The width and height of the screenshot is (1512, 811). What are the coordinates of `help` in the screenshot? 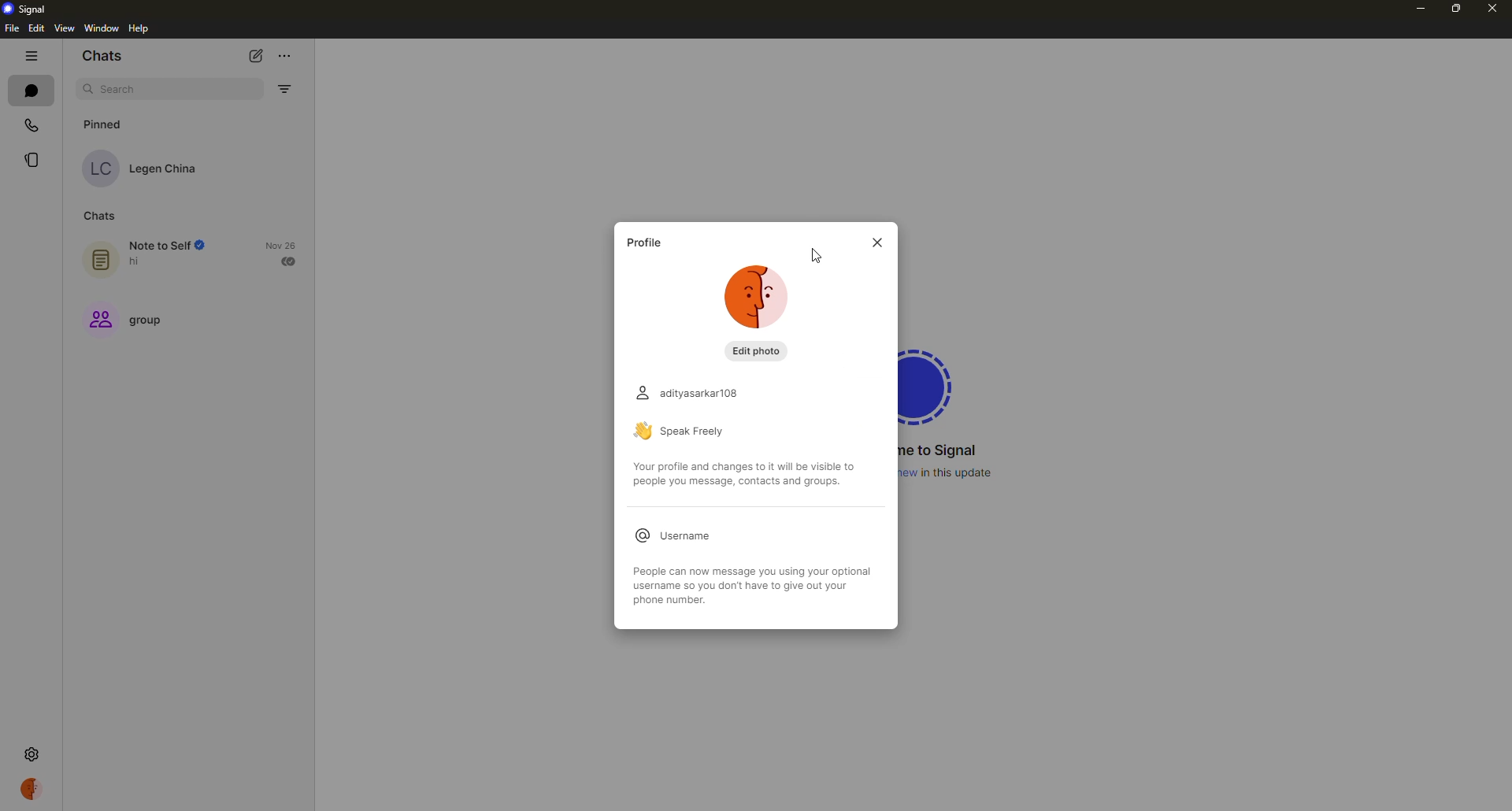 It's located at (140, 29).